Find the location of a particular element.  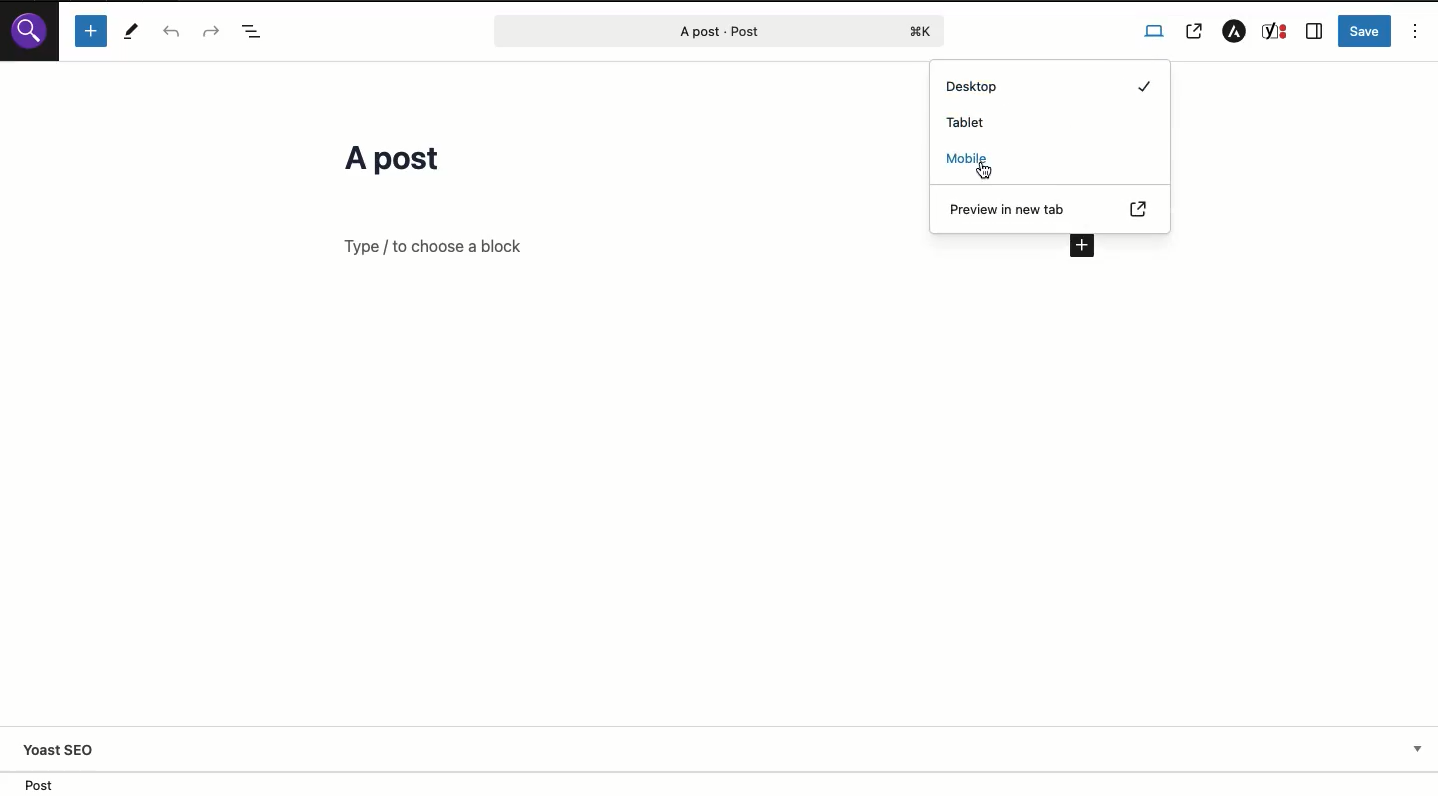

Post is located at coordinates (708, 31).